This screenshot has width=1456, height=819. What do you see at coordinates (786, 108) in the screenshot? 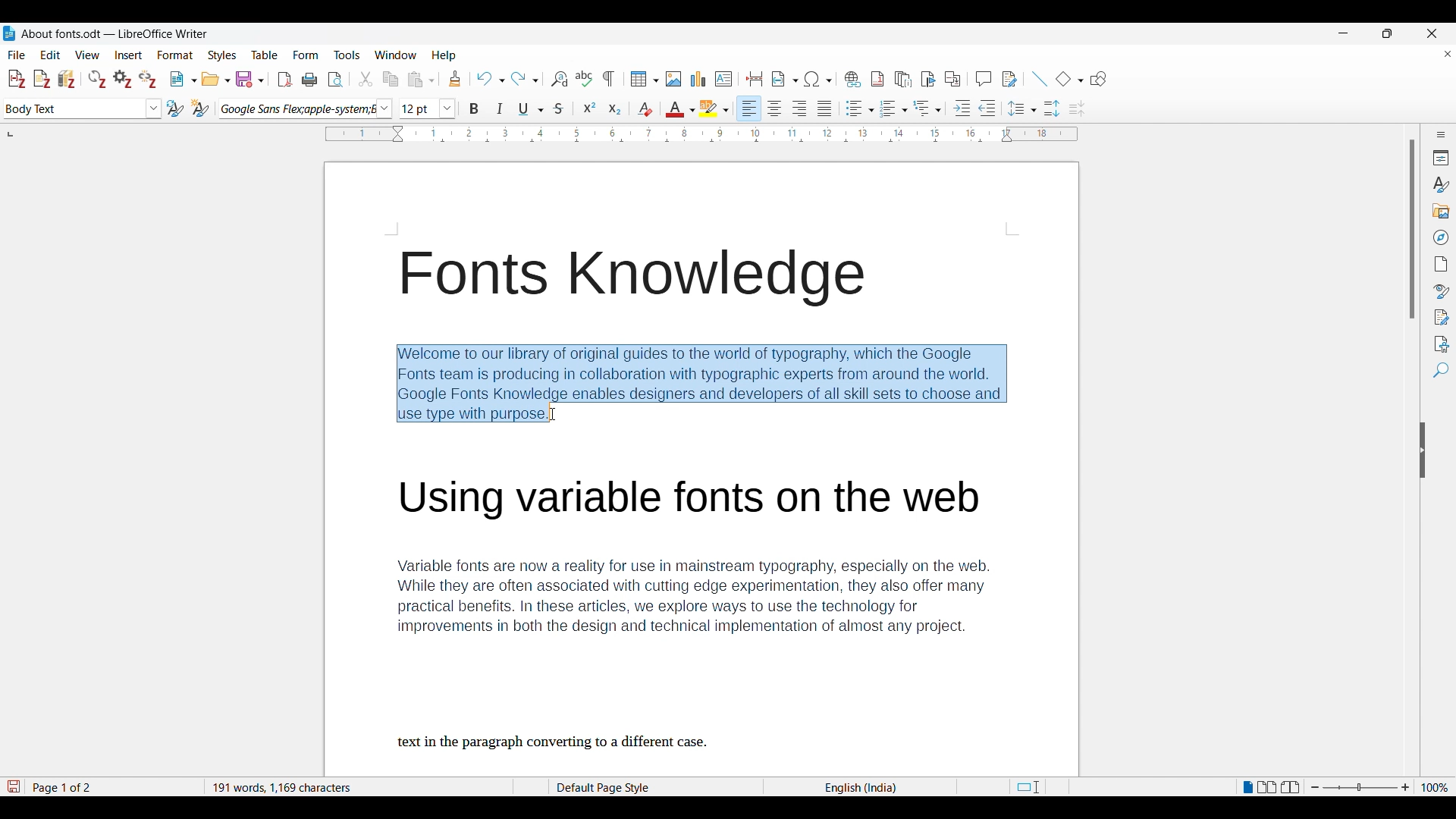
I see `Paragraph alignment options` at bounding box center [786, 108].